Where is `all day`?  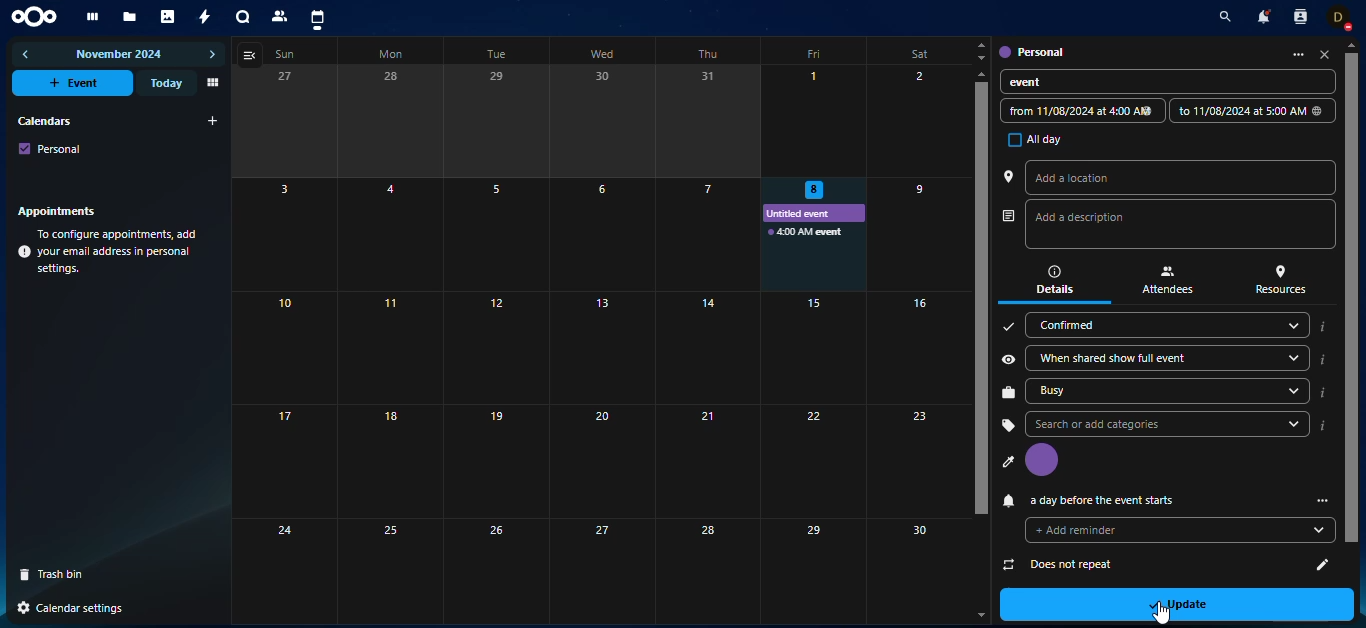
all day is located at coordinates (1029, 139).